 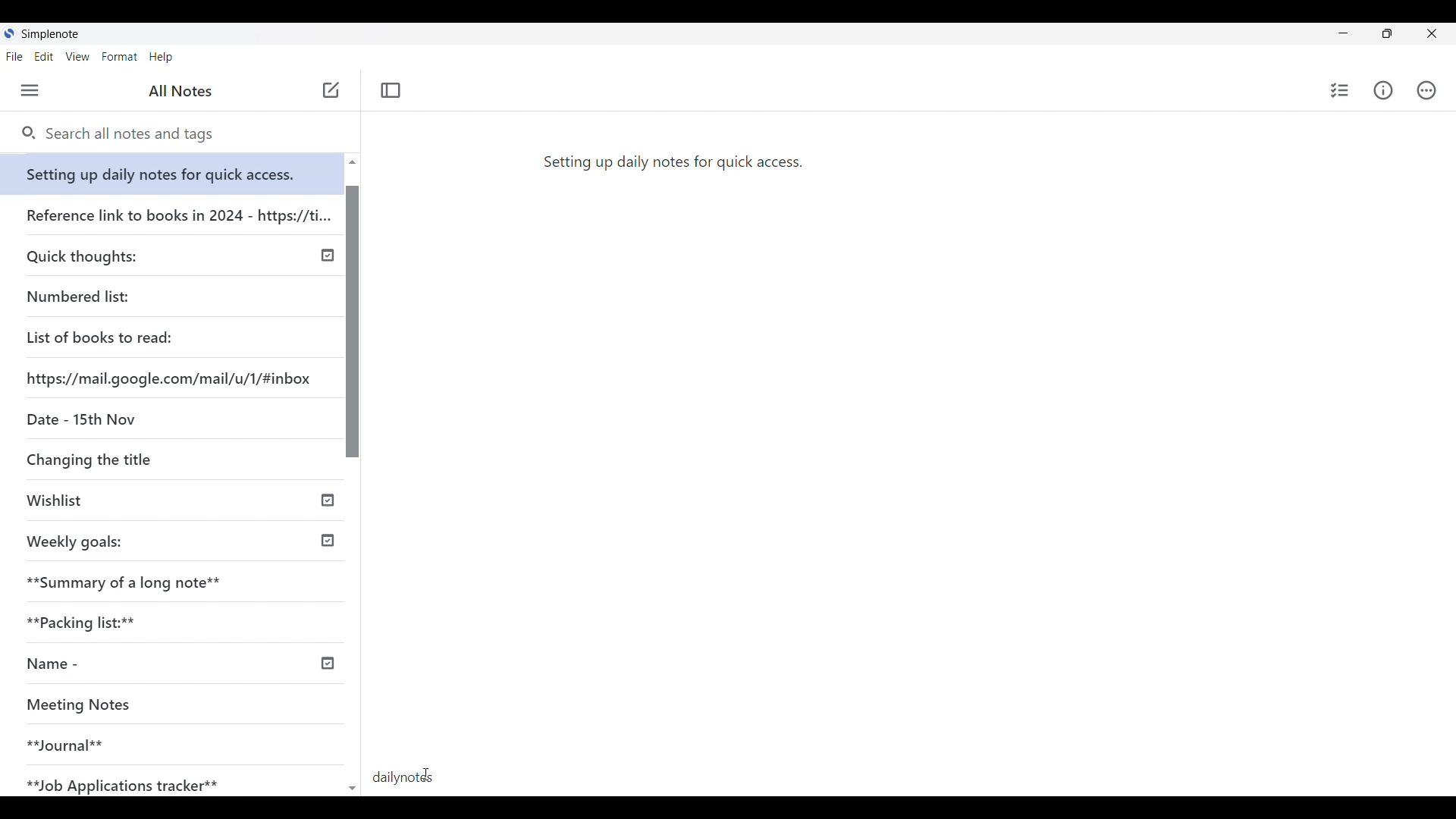 What do you see at coordinates (177, 209) in the screenshot?
I see `reference link to books in 2024 - https://ti...` at bounding box center [177, 209].